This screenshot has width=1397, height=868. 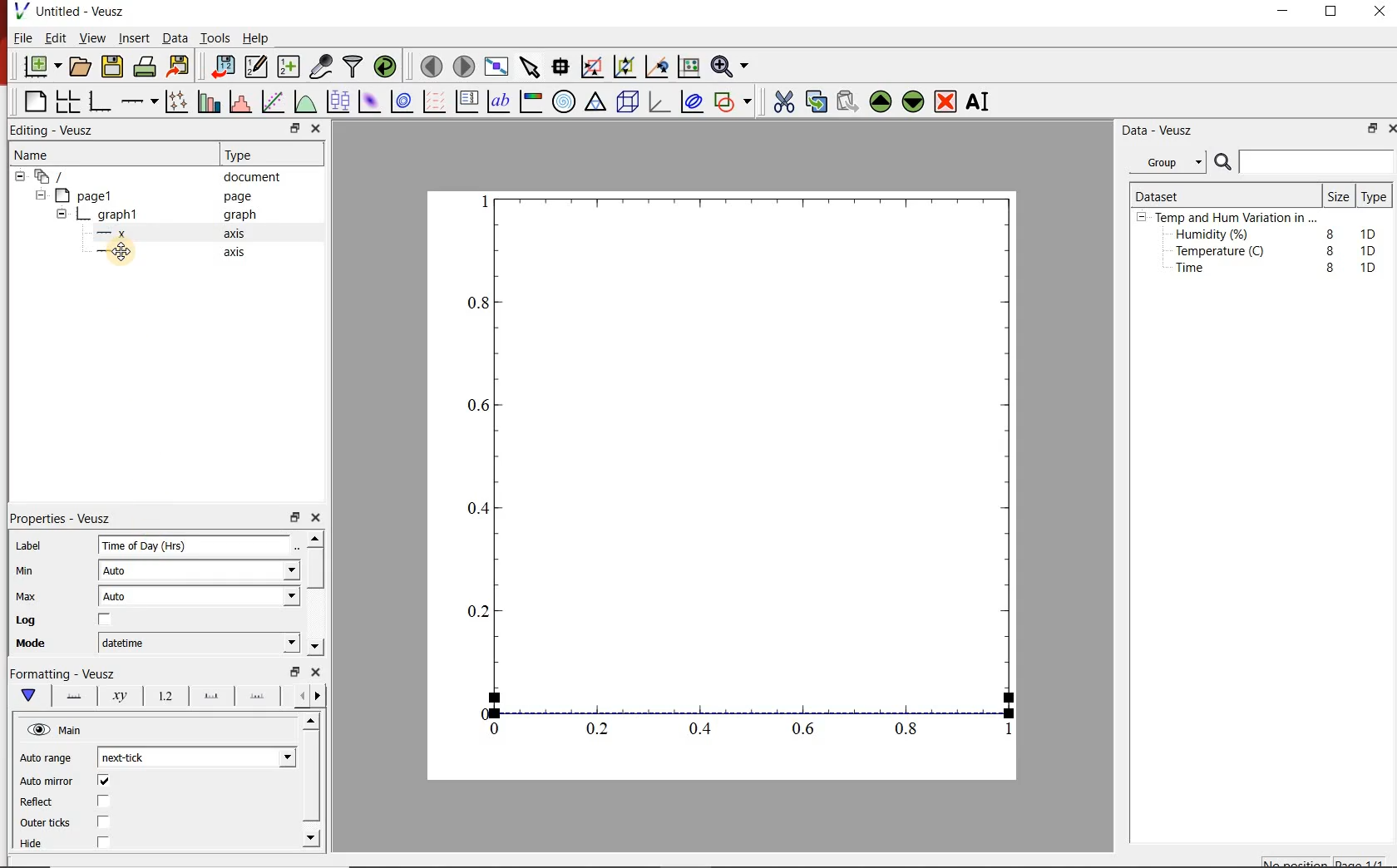 What do you see at coordinates (1223, 253) in the screenshot?
I see `Temperature (C)` at bounding box center [1223, 253].